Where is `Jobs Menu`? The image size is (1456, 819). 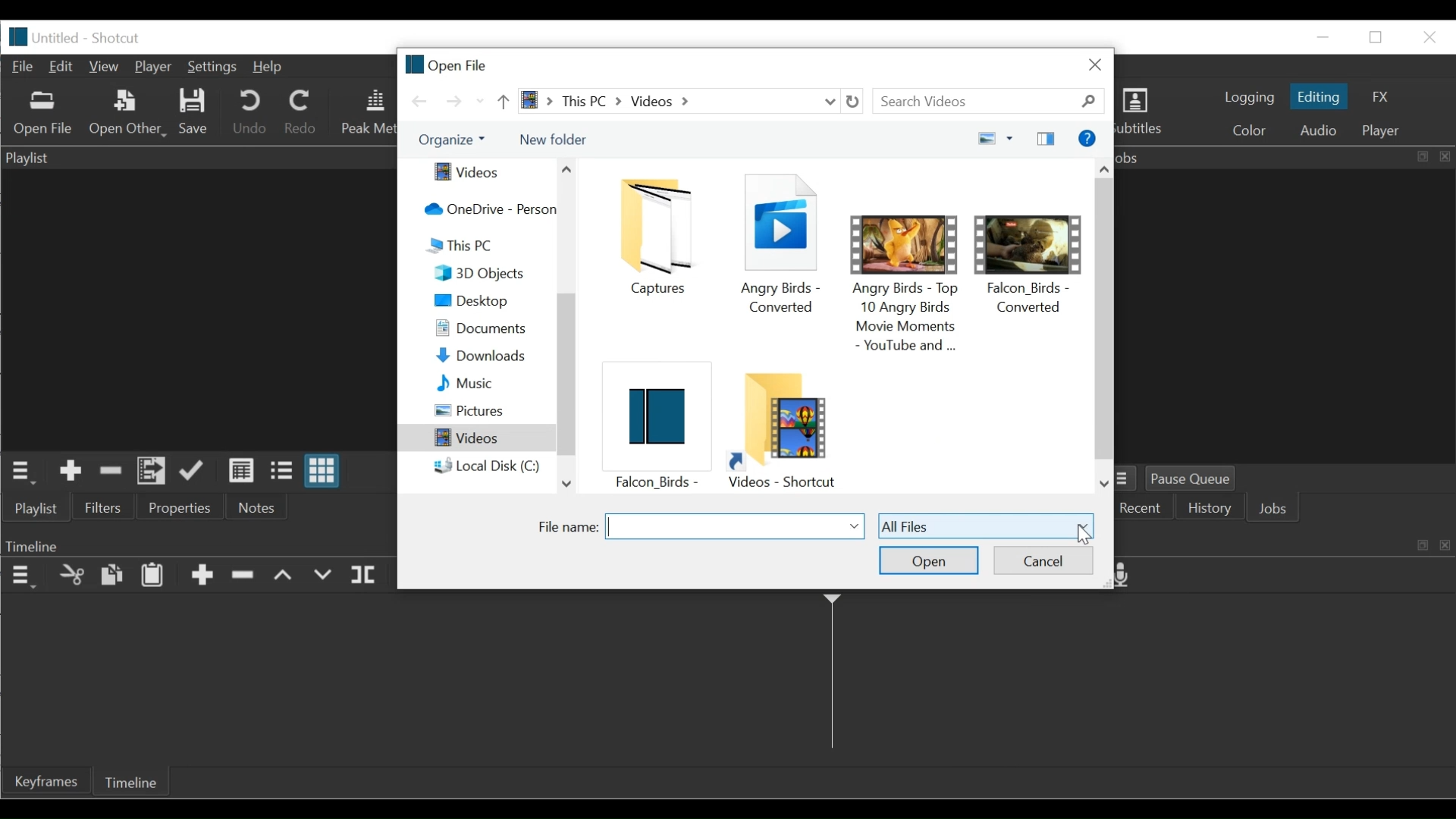 Jobs Menu is located at coordinates (1128, 479).